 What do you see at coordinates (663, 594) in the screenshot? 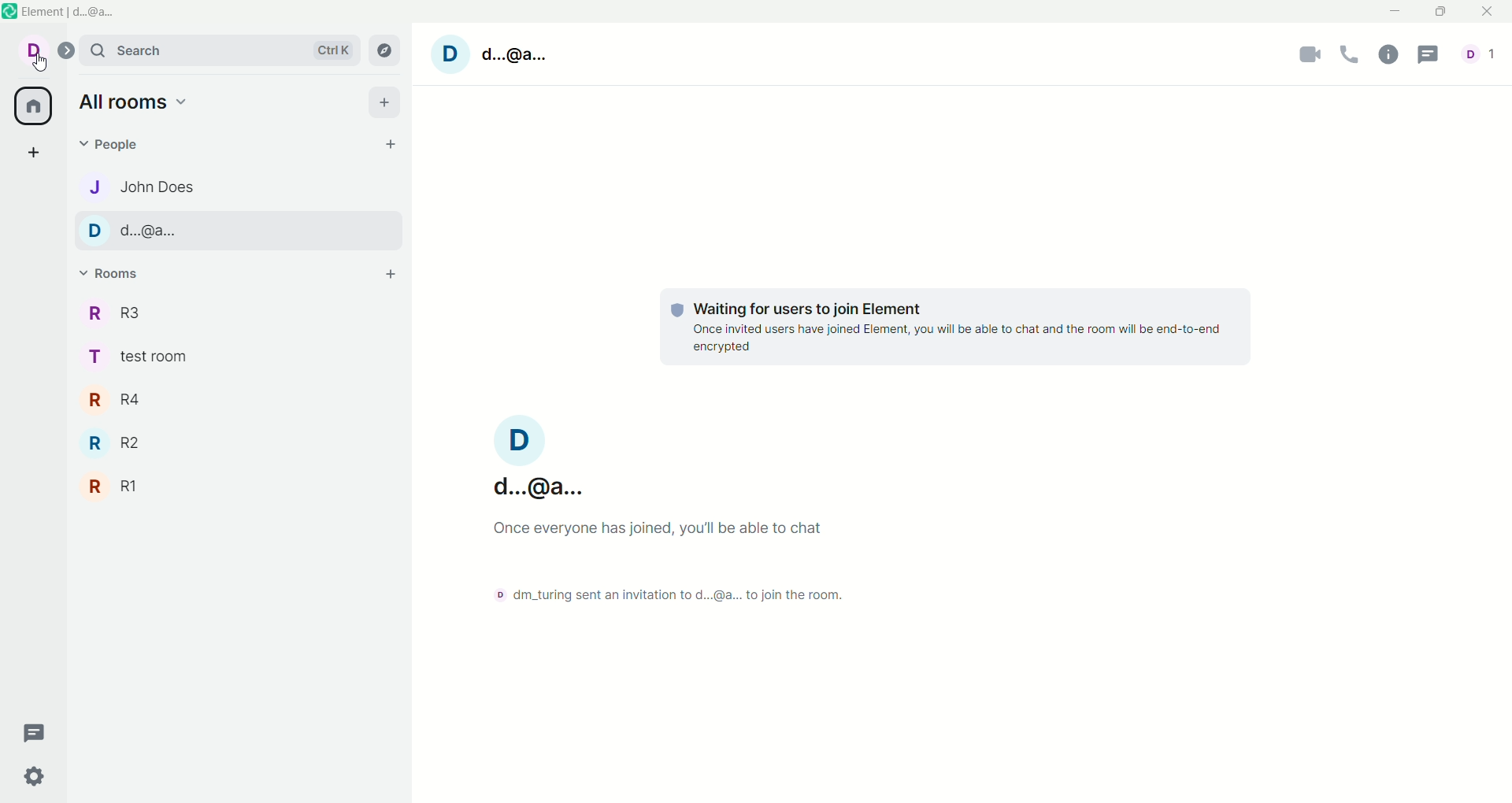
I see `© dm_turing sent an invitation to d...@a... to join the room.` at bounding box center [663, 594].